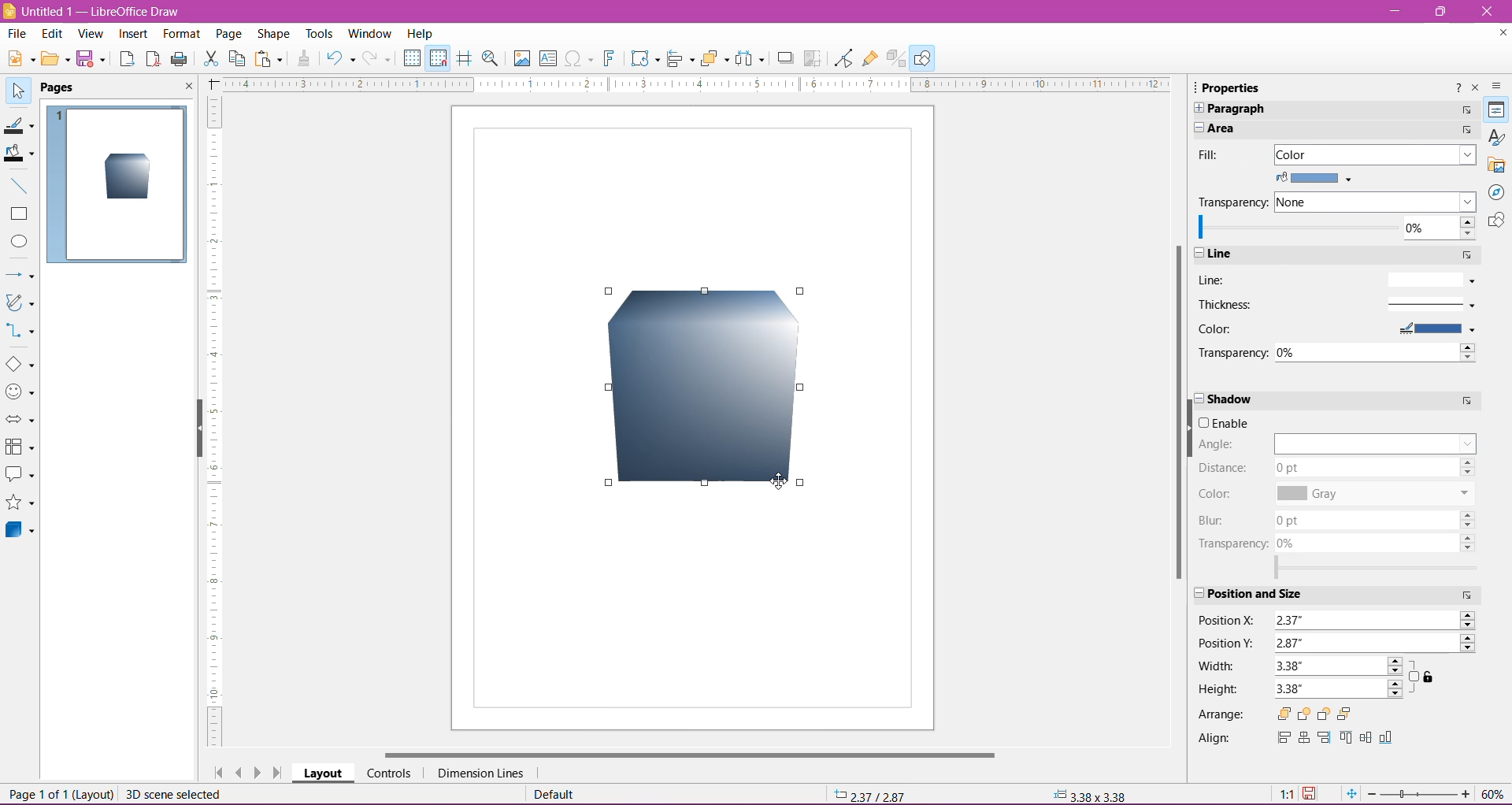 The image size is (1512, 805). I want to click on Align, so click(1216, 738).